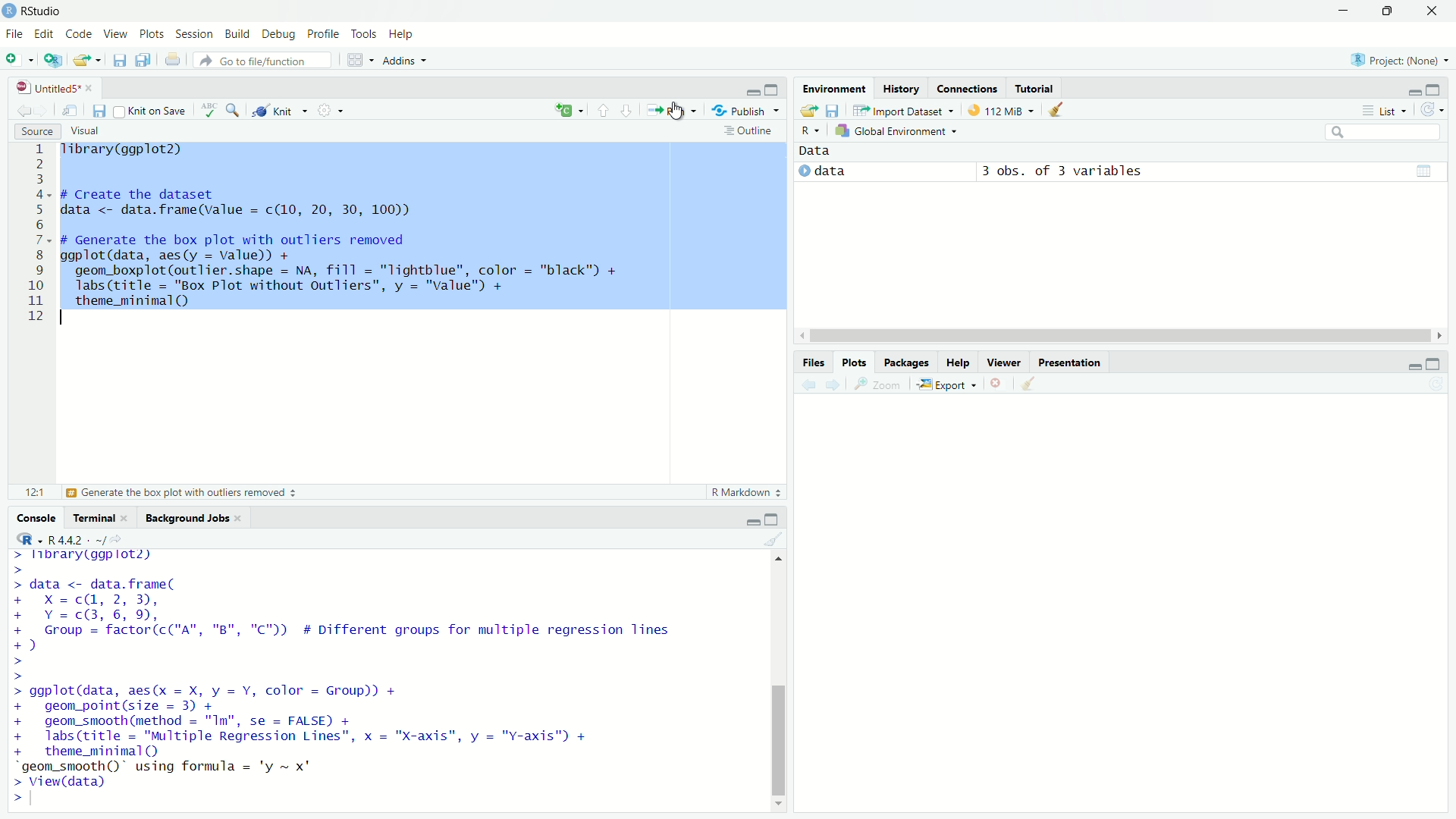 This screenshot has width=1456, height=819. I want to click on maximise, so click(1435, 366).